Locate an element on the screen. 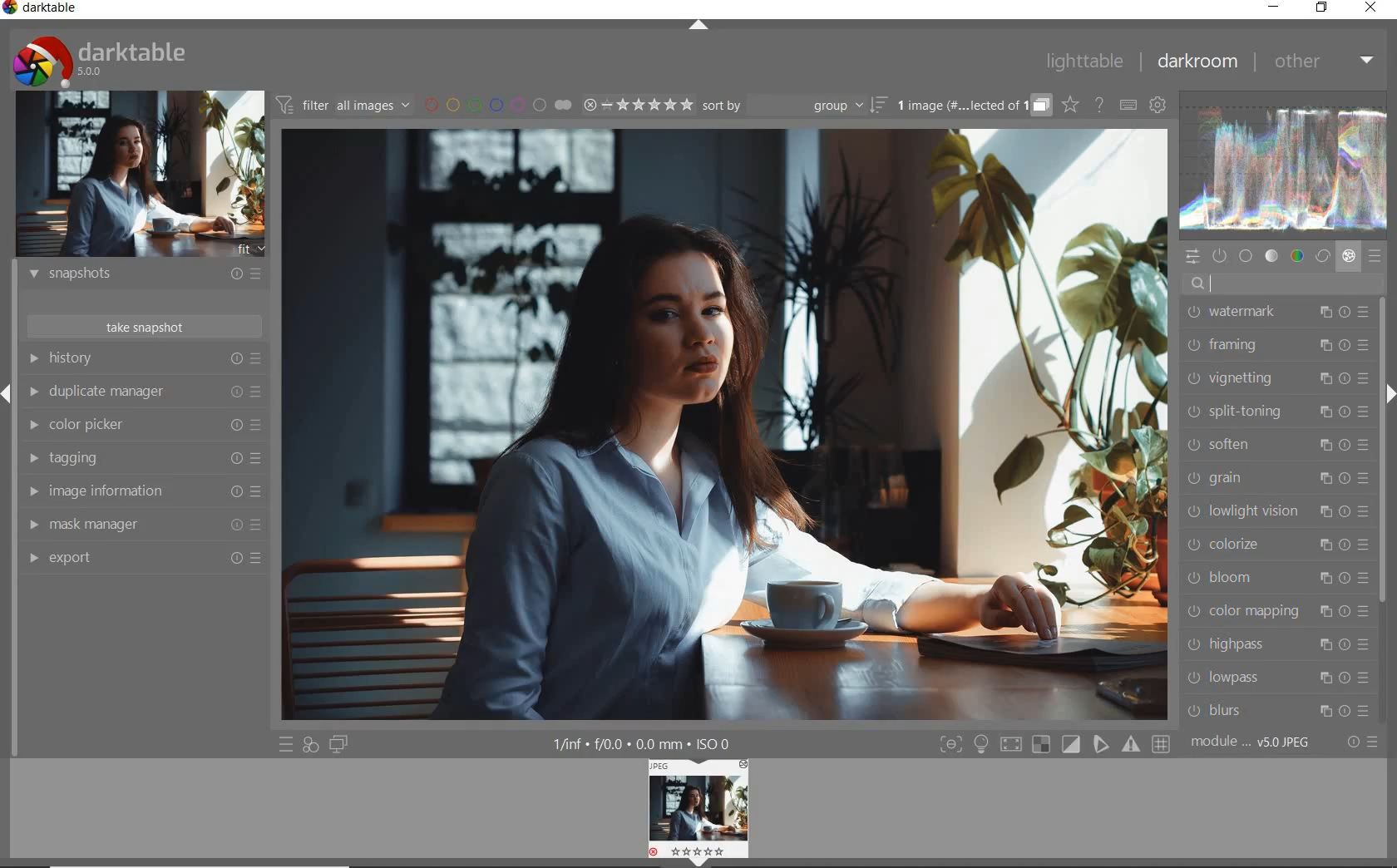 The height and width of the screenshot is (868, 1397). grain is located at coordinates (1278, 479).